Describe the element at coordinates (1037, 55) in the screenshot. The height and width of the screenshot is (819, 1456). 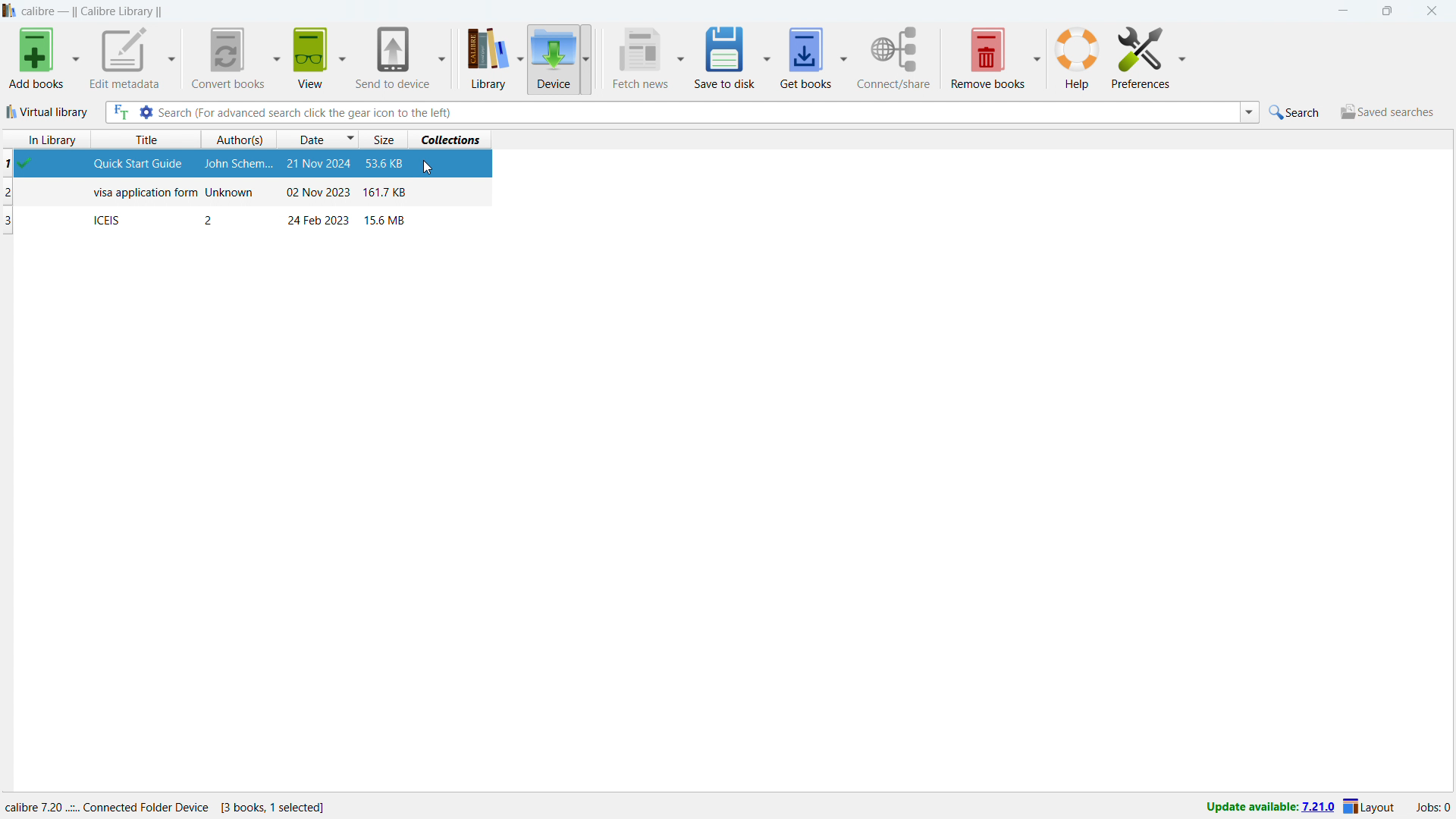
I see `remove books options` at that location.